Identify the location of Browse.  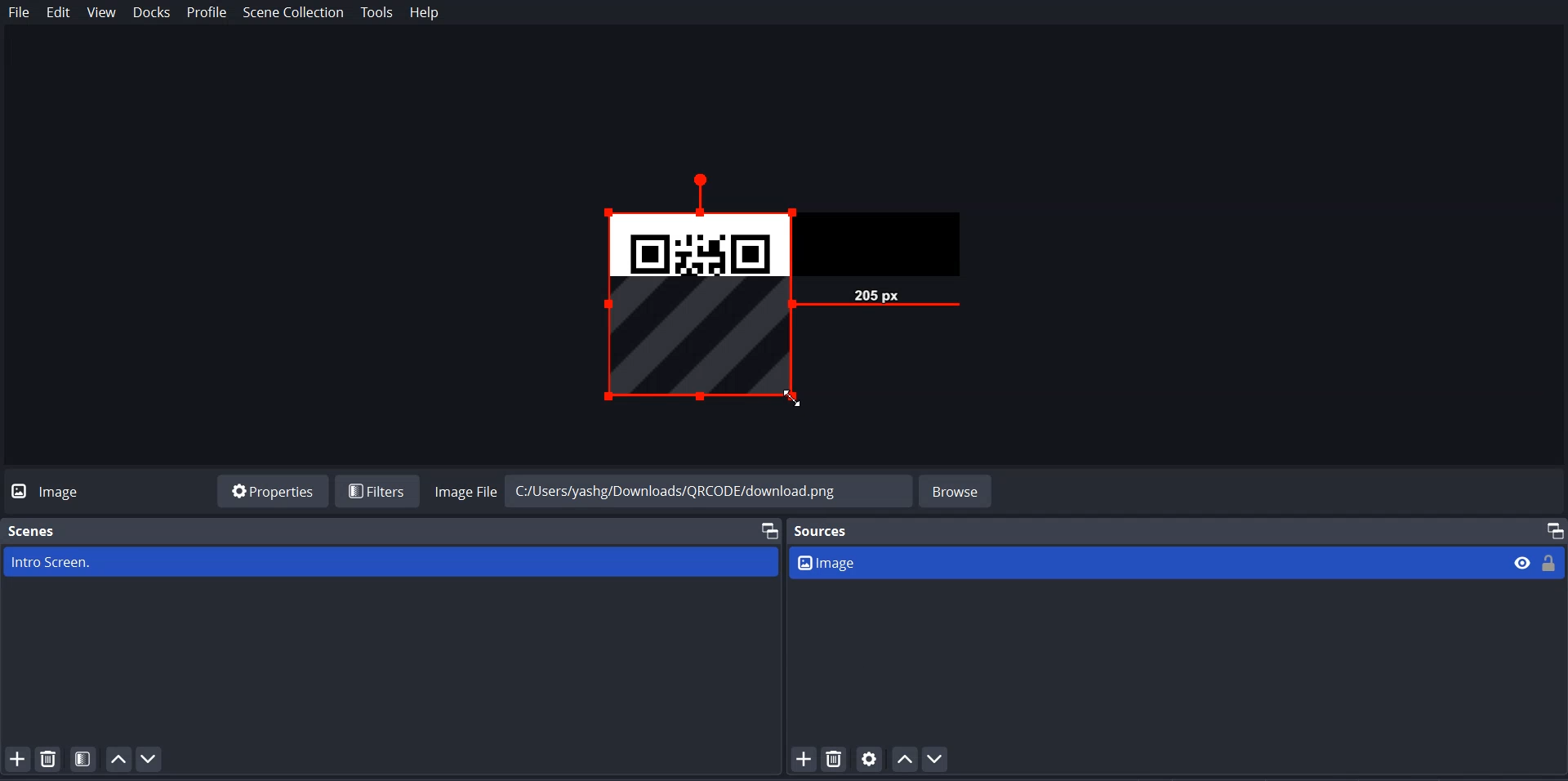
(957, 489).